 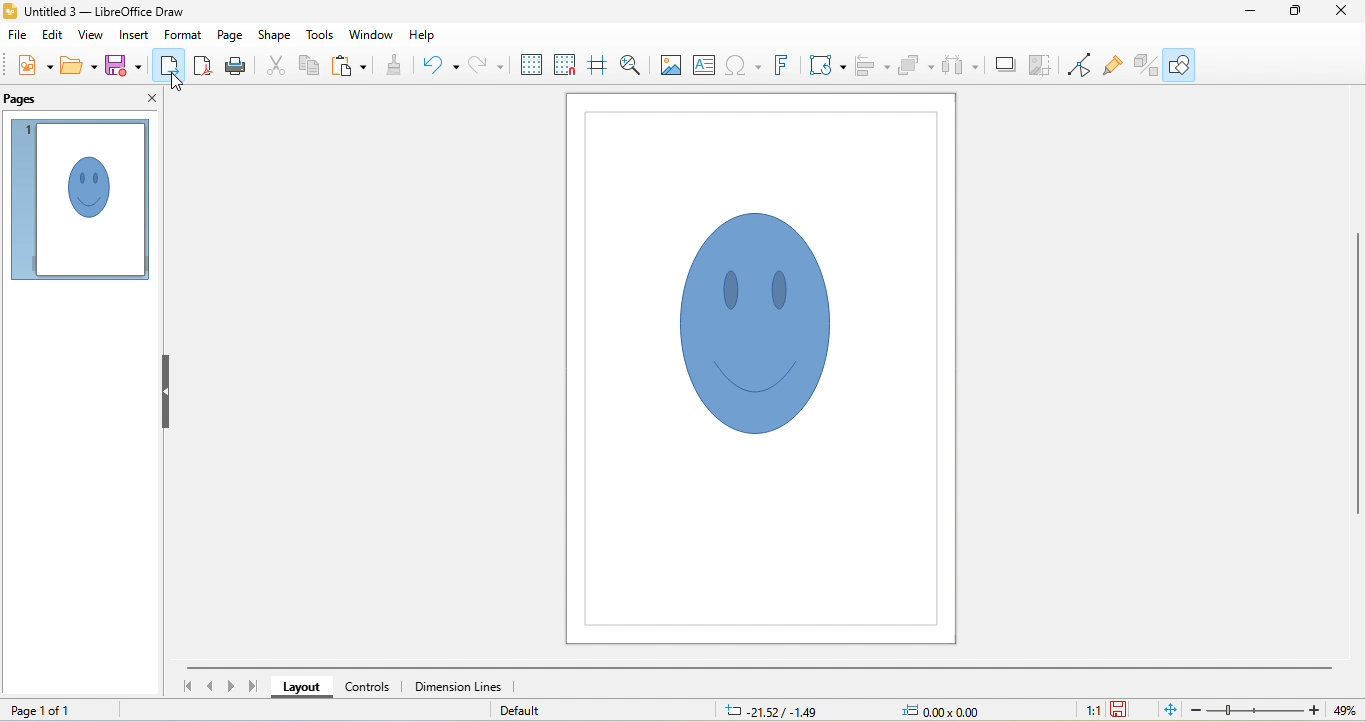 What do you see at coordinates (1351, 380) in the screenshot?
I see `vertical scroll` at bounding box center [1351, 380].